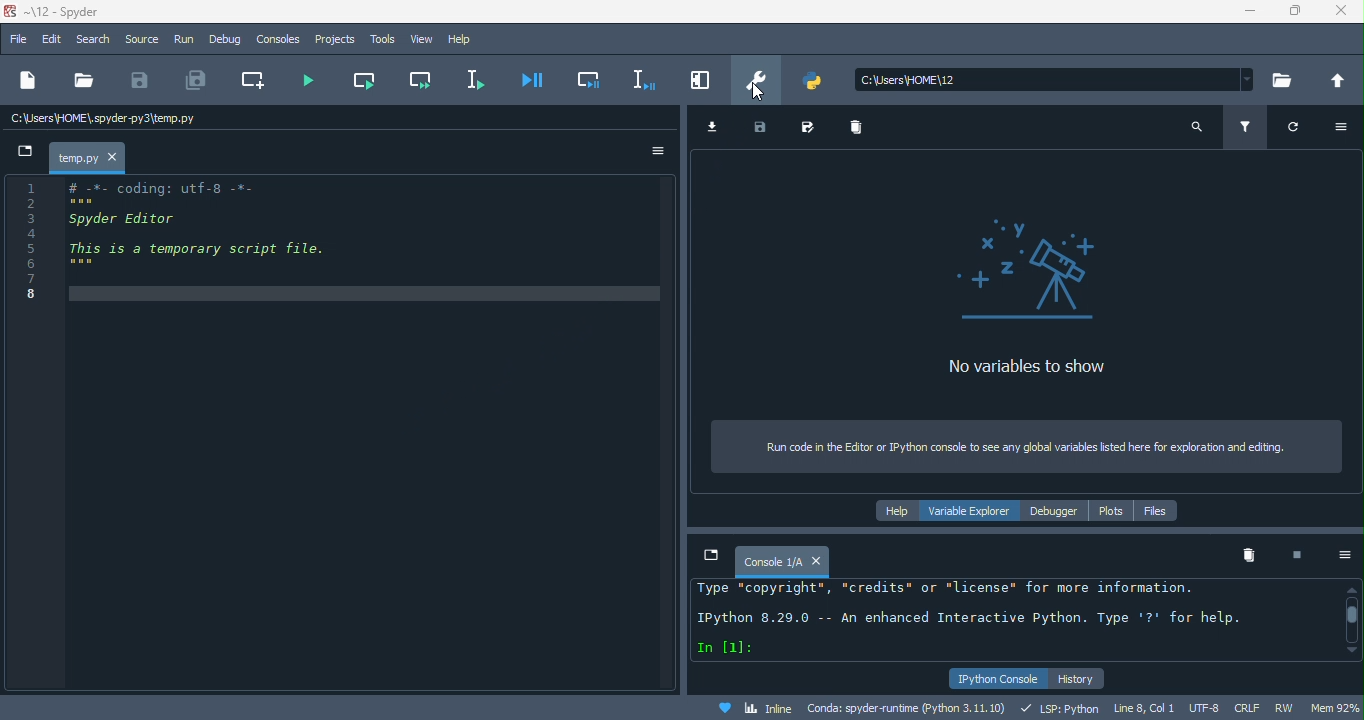 The width and height of the screenshot is (1364, 720). What do you see at coordinates (1030, 445) in the screenshot?
I see `run code in the editor` at bounding box center [1030, 445].